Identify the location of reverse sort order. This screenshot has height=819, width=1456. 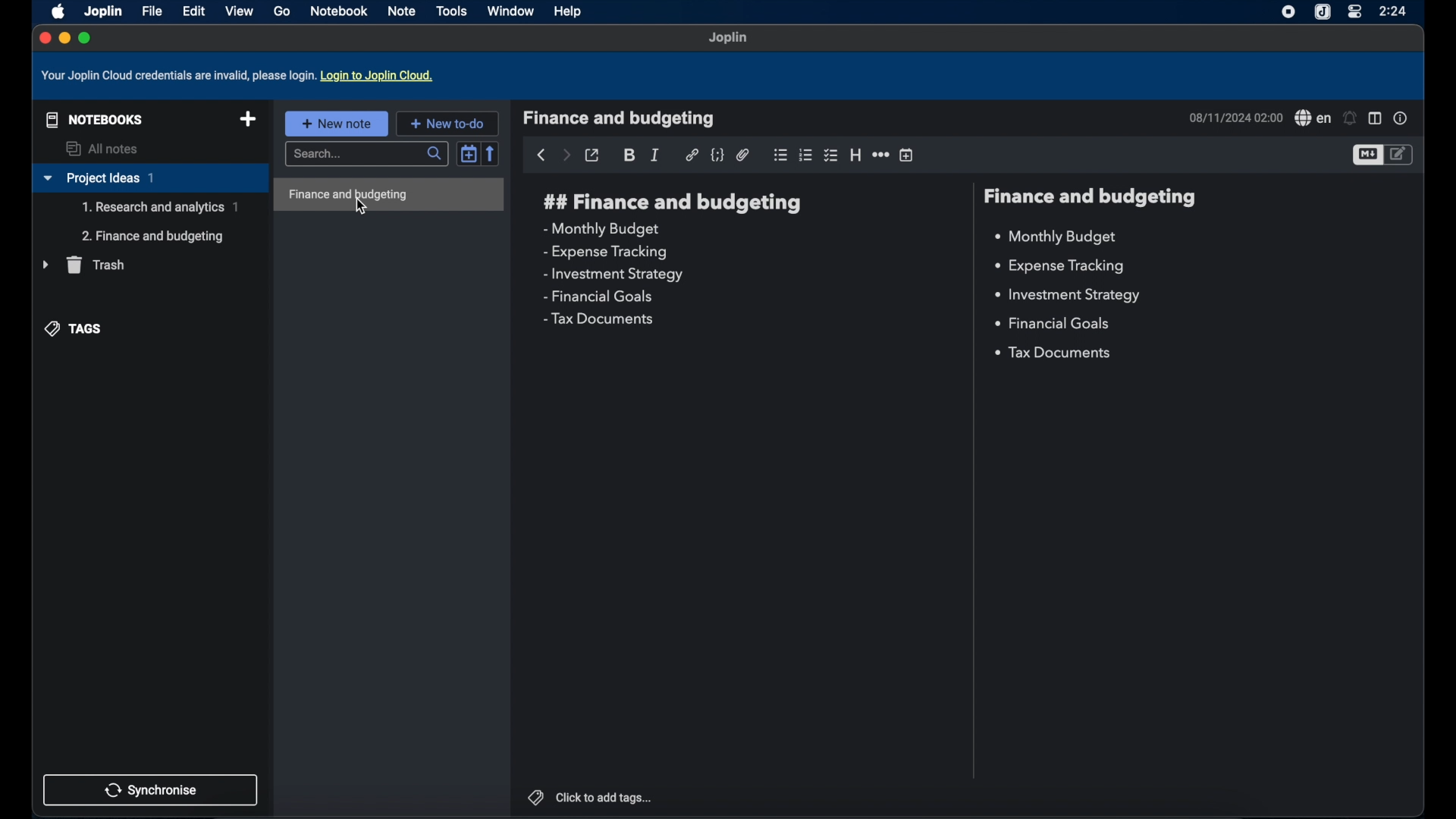
(492, 153).